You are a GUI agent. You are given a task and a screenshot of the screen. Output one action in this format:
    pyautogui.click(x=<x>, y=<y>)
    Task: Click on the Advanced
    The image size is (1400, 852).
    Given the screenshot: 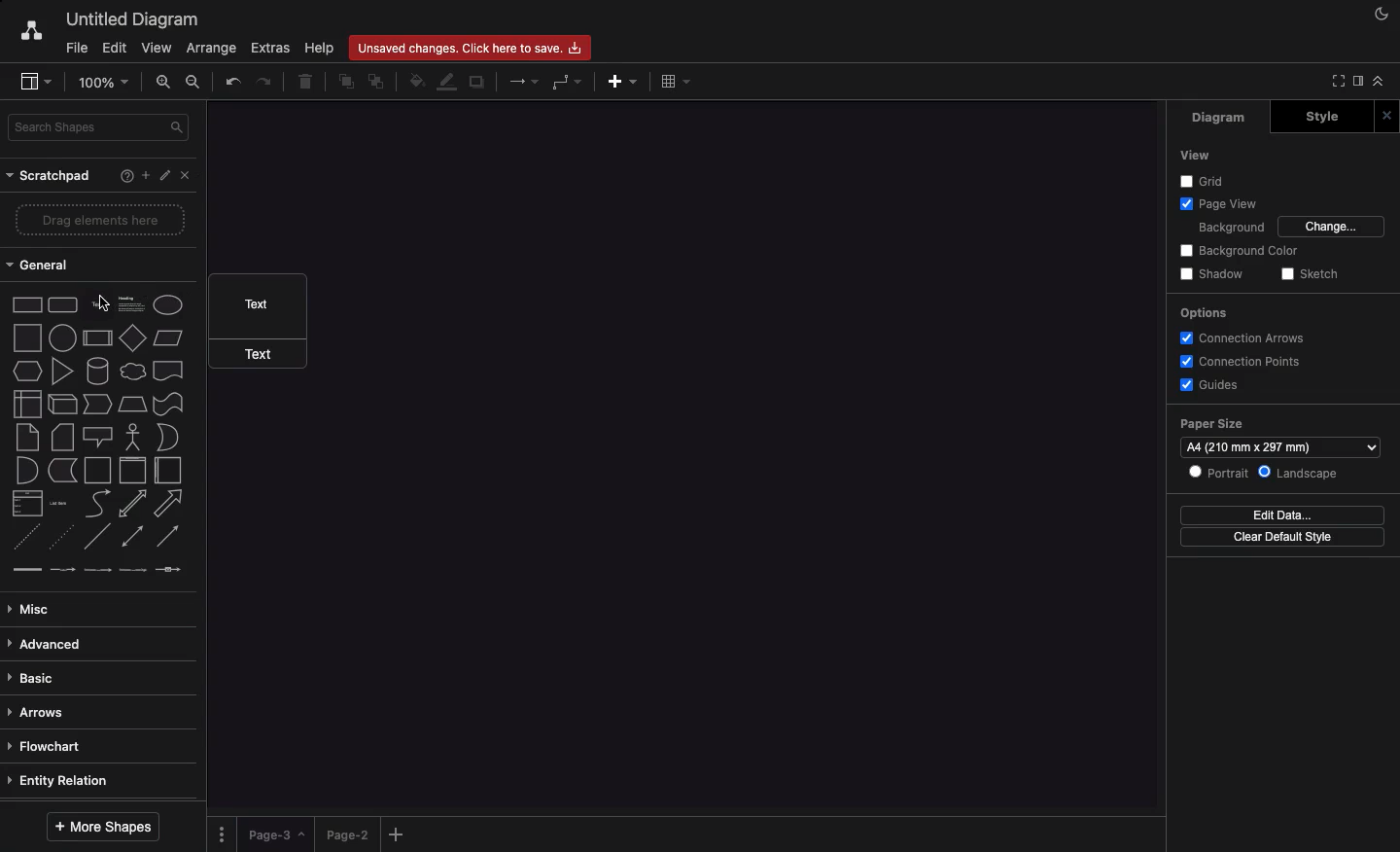 What is the action you would take?
    pyautogui.click(x=49, y=646)
    